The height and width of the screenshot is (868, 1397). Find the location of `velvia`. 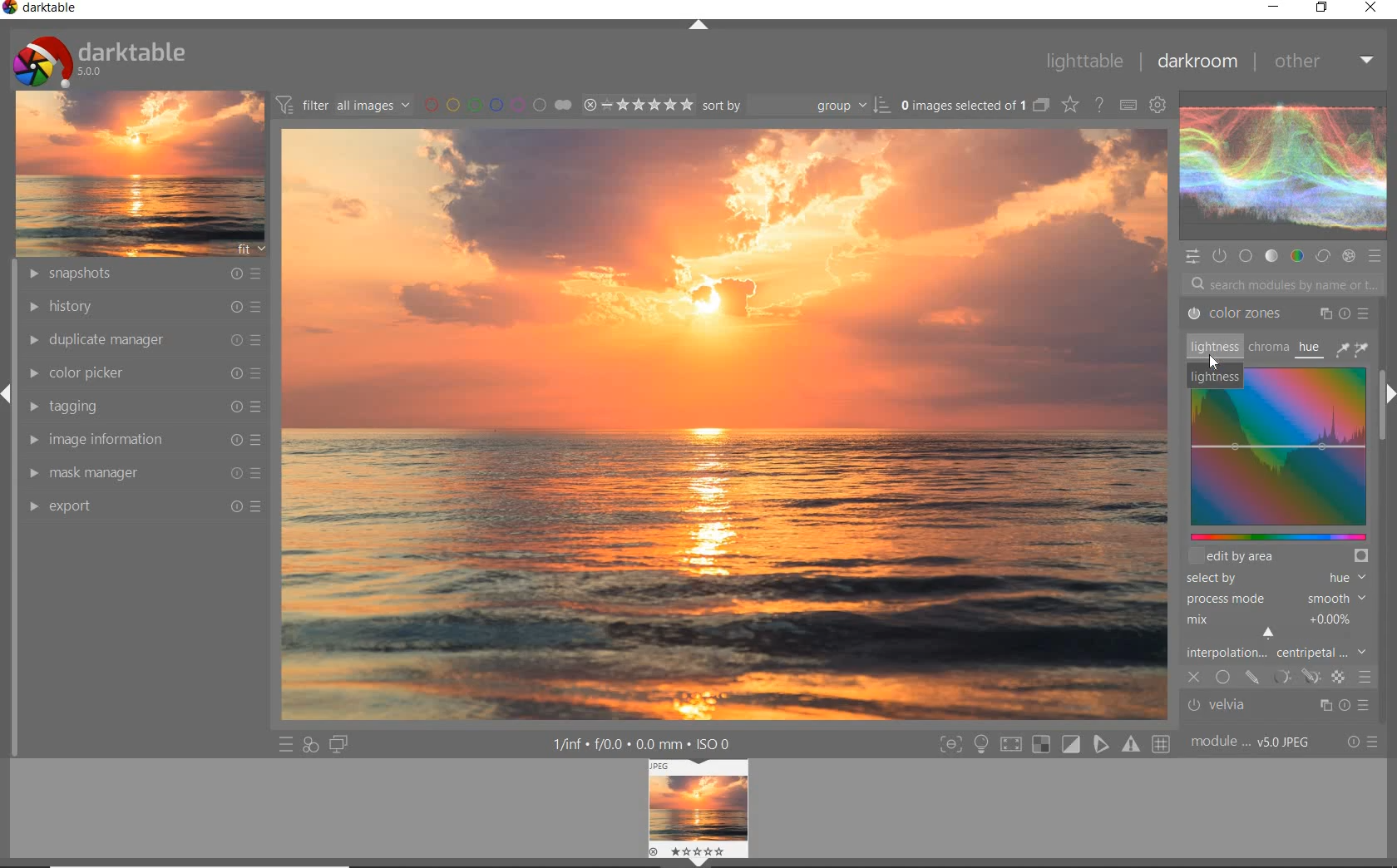

velvia is located at coordinates (1273, 707).